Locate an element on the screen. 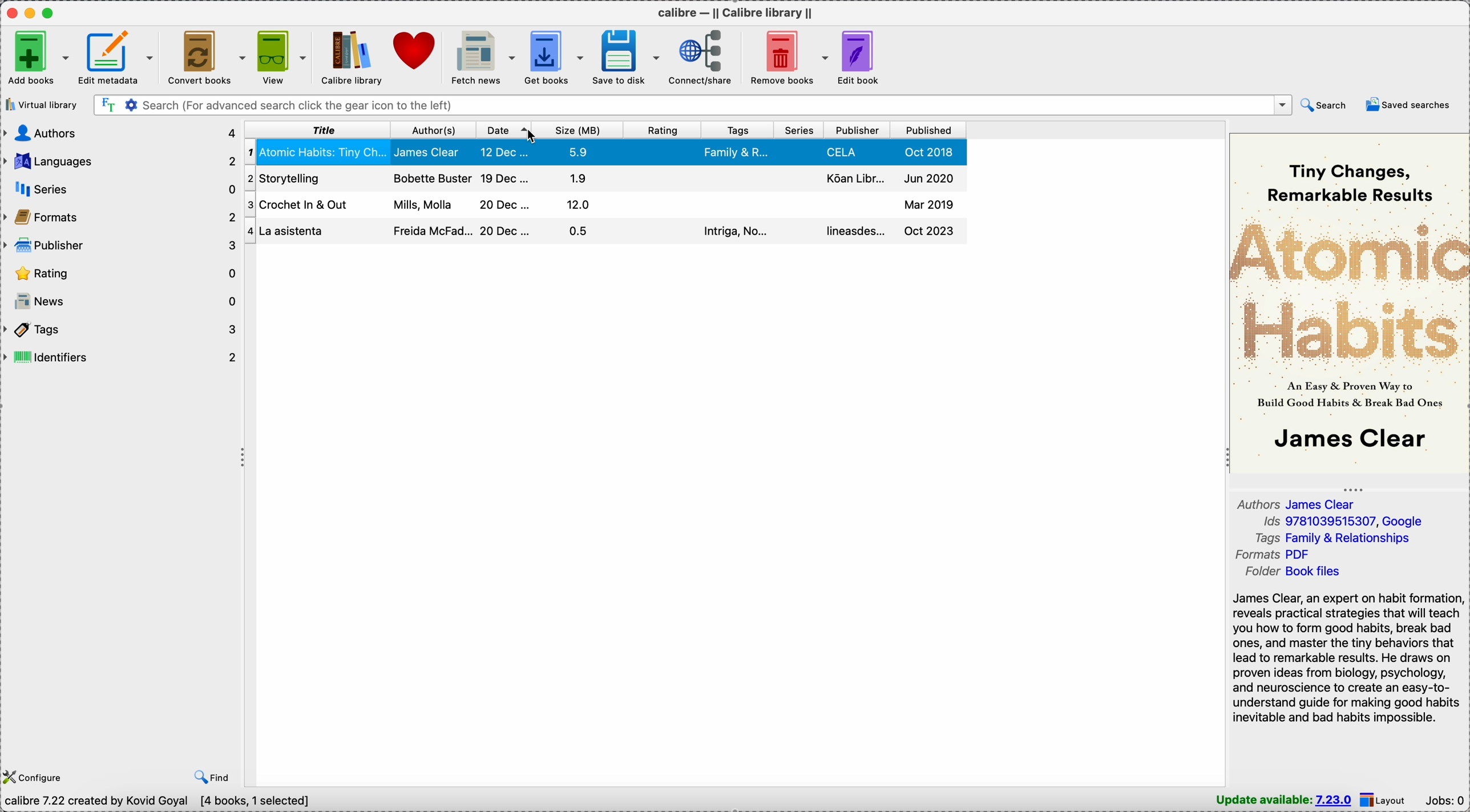 The image size is (1470, 812). size is located at coordinates (578, 131).